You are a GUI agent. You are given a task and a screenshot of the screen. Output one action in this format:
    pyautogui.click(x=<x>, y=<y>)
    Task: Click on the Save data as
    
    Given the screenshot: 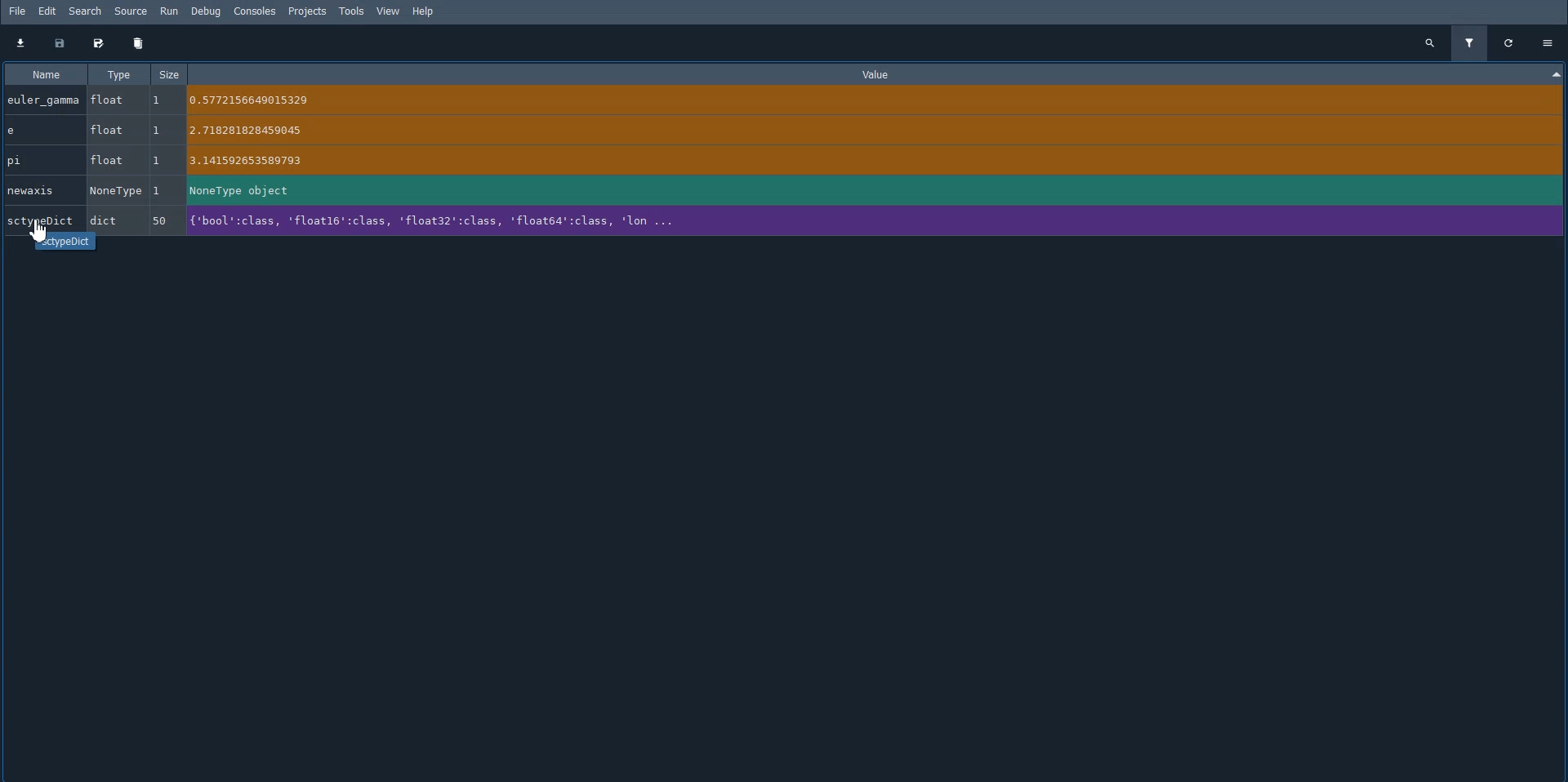 What is the action you would take?
    pyautogui.click(x=99, y=45)
    